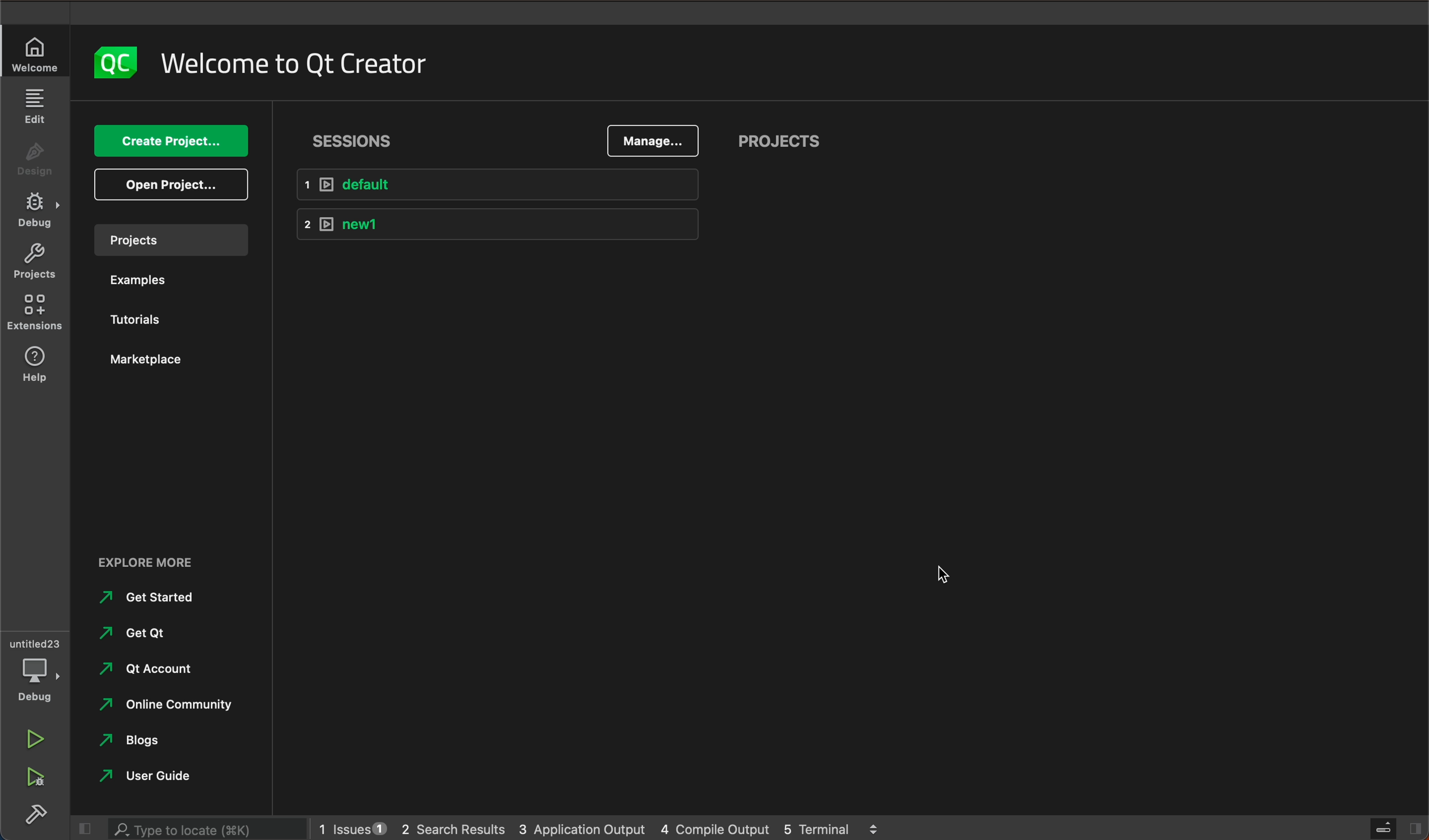 The height and width of the screenshot is (840, 1429). I want to click on Project , so click(34, 264).